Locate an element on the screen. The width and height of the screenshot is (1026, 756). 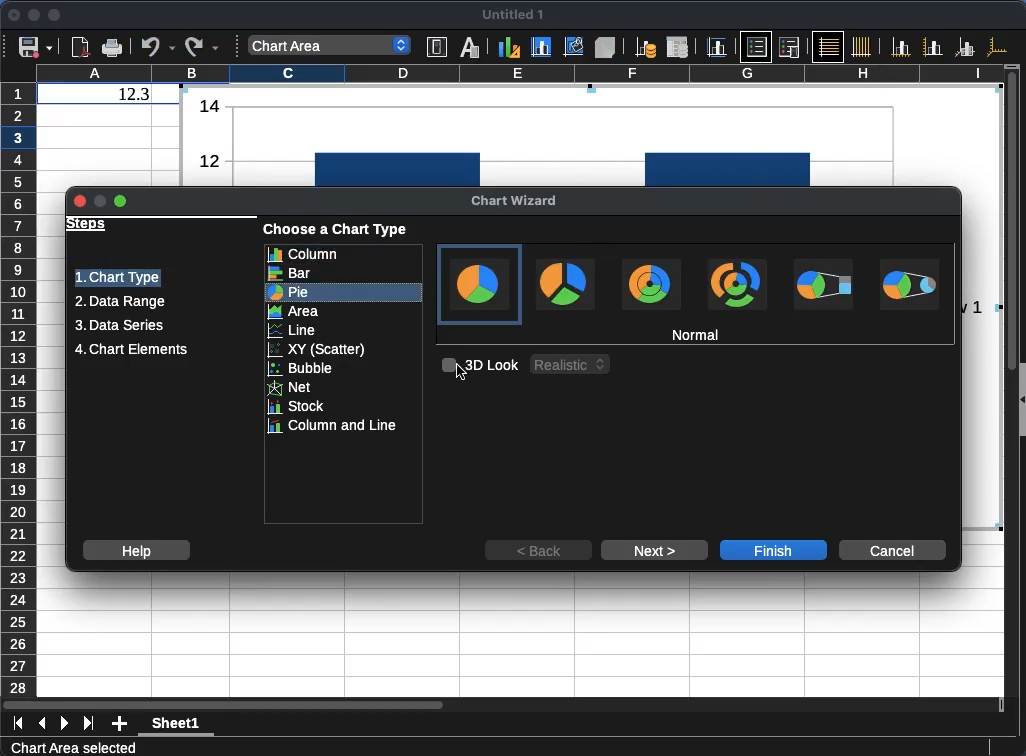
All axes is located at coordinates (997, 46).